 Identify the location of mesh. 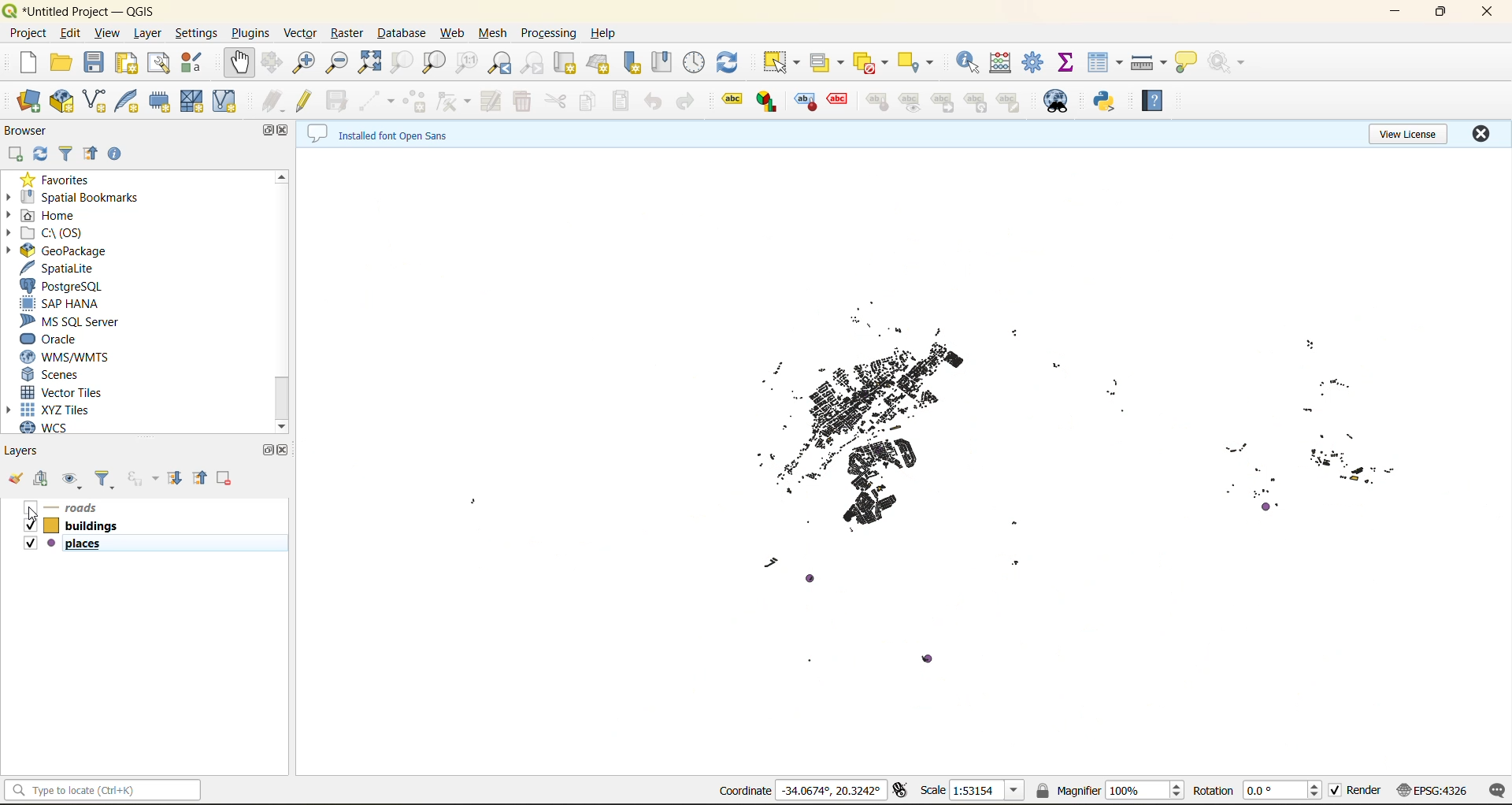
(494, 32).